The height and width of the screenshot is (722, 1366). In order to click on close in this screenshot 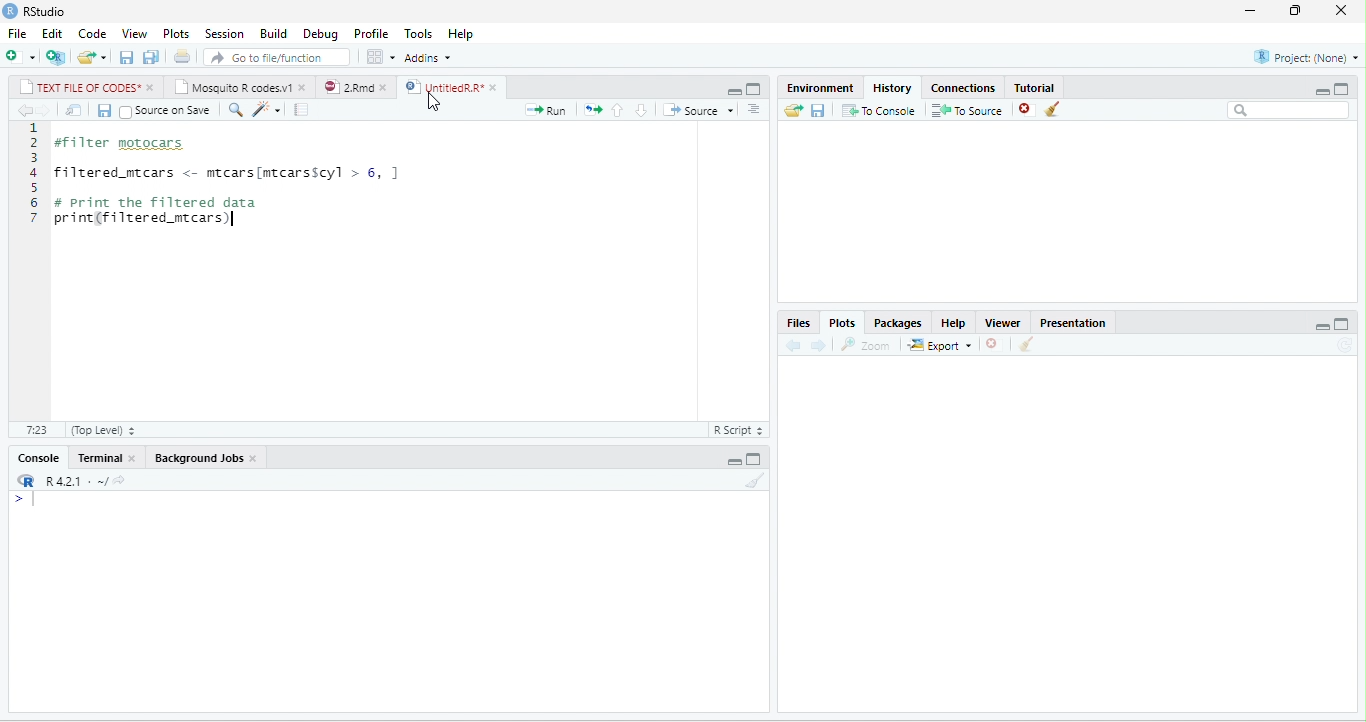, I will do `click(496, 88)`.